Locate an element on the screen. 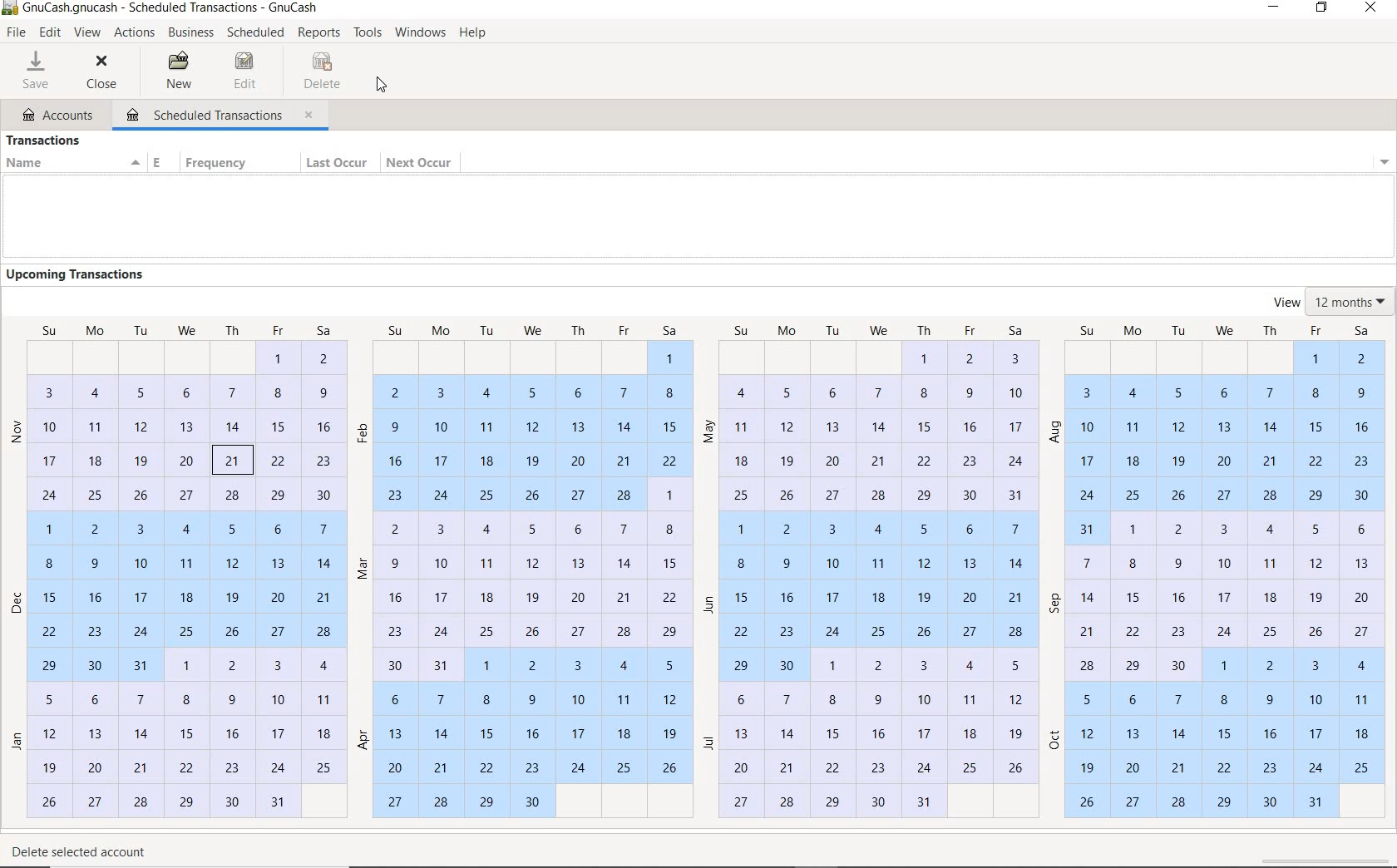 The width and height of the screenshot is (1397, 868). months is located at coordinates (15, 589).